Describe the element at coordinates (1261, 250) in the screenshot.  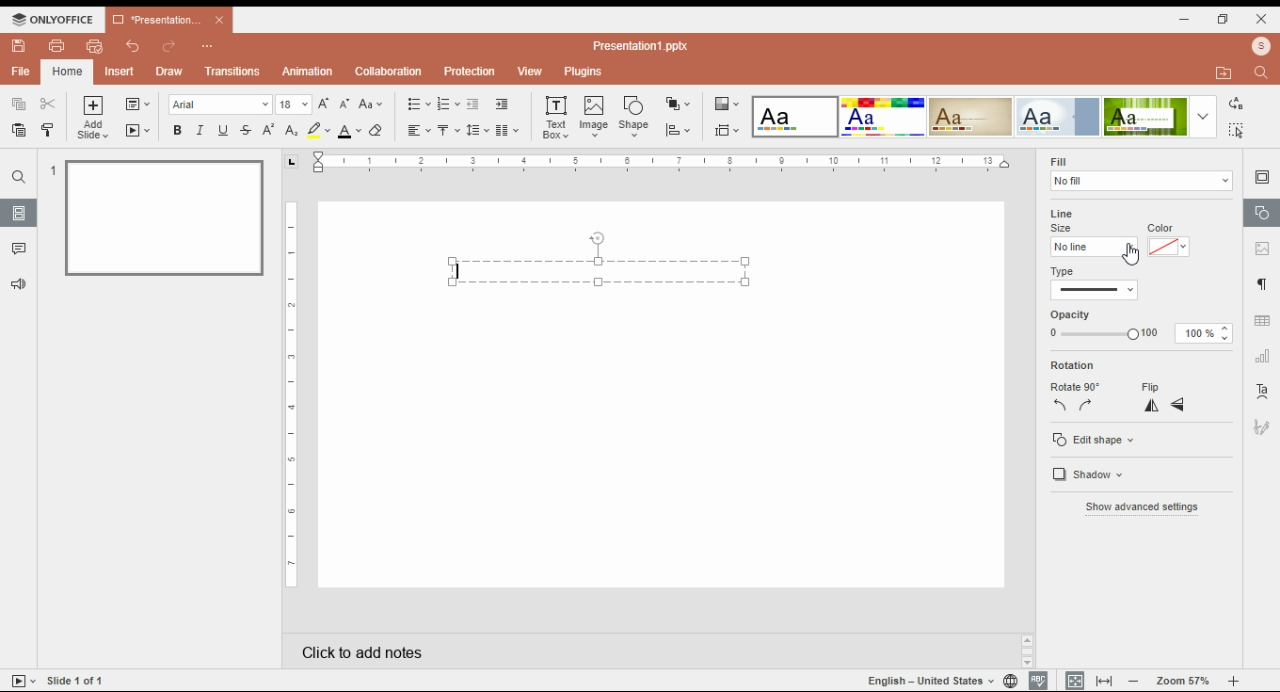
I see `image settings` at that location.